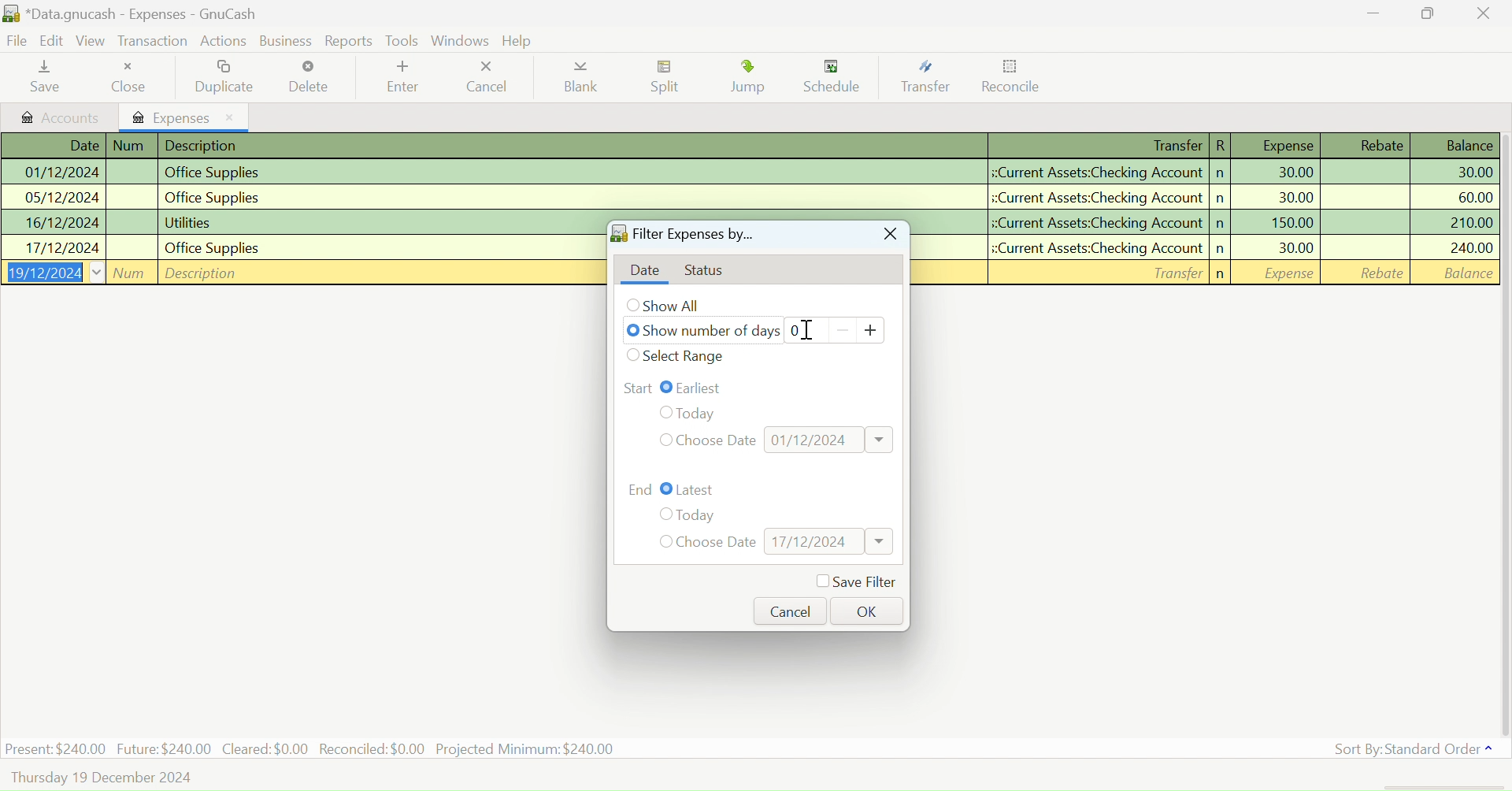 The image size is (1512, 791). I want to click on Close Window, so click(888, 236).